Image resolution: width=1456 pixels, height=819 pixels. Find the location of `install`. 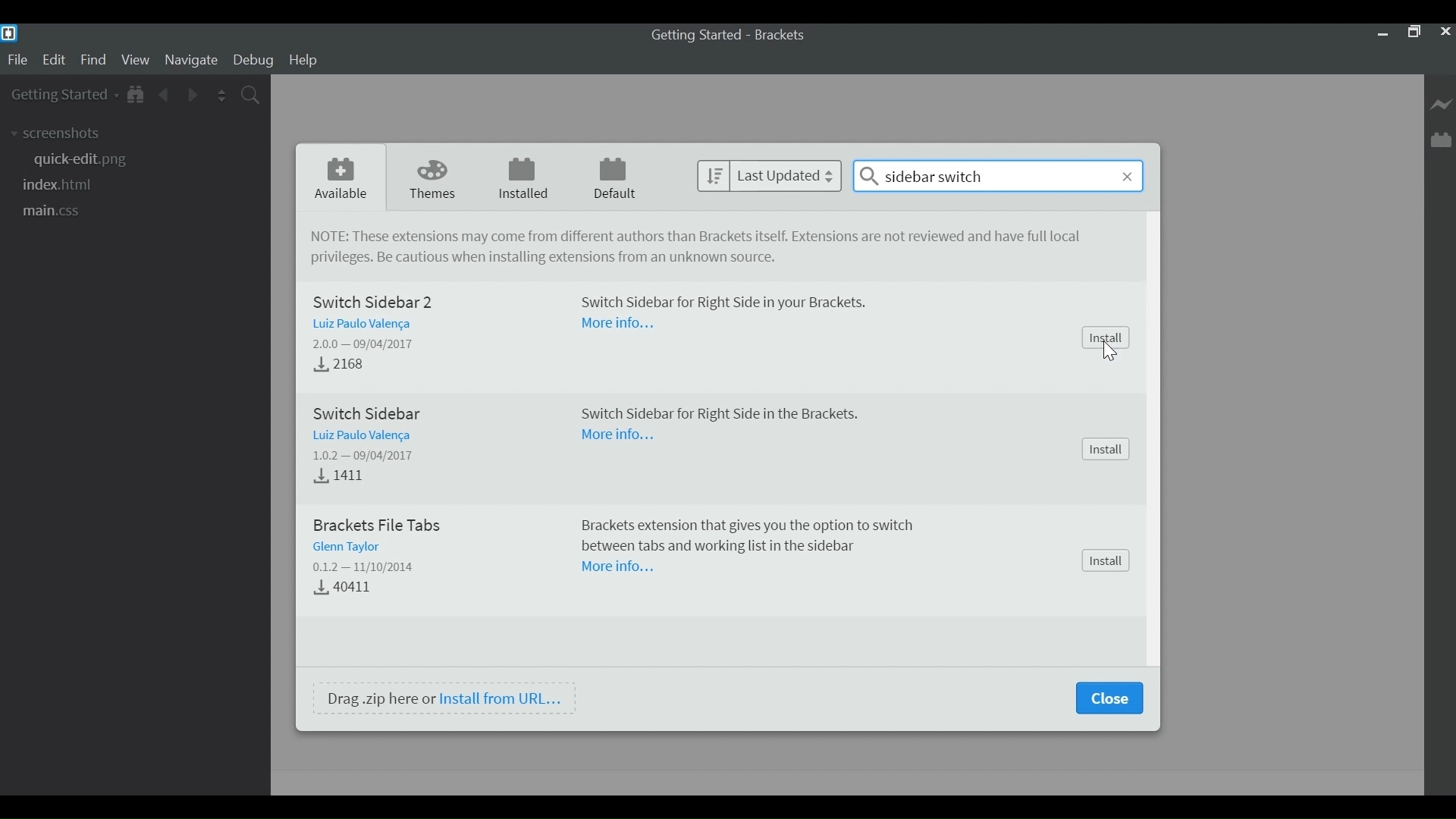

install is located at coordinates (1104, 560).